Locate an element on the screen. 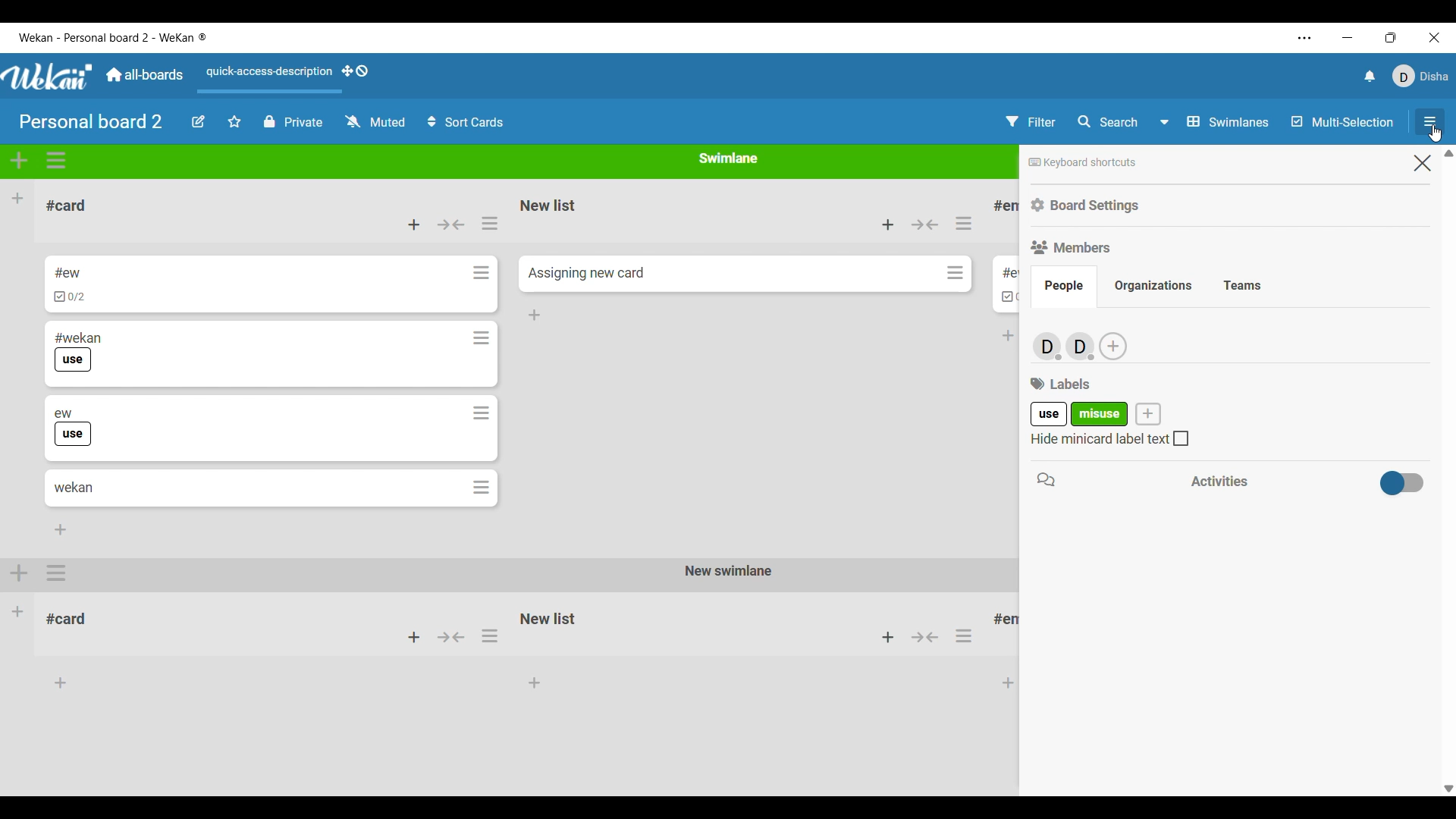 The width and height of the screenshot is (1456, 819). Collapse is located at coordinates (450, 224).